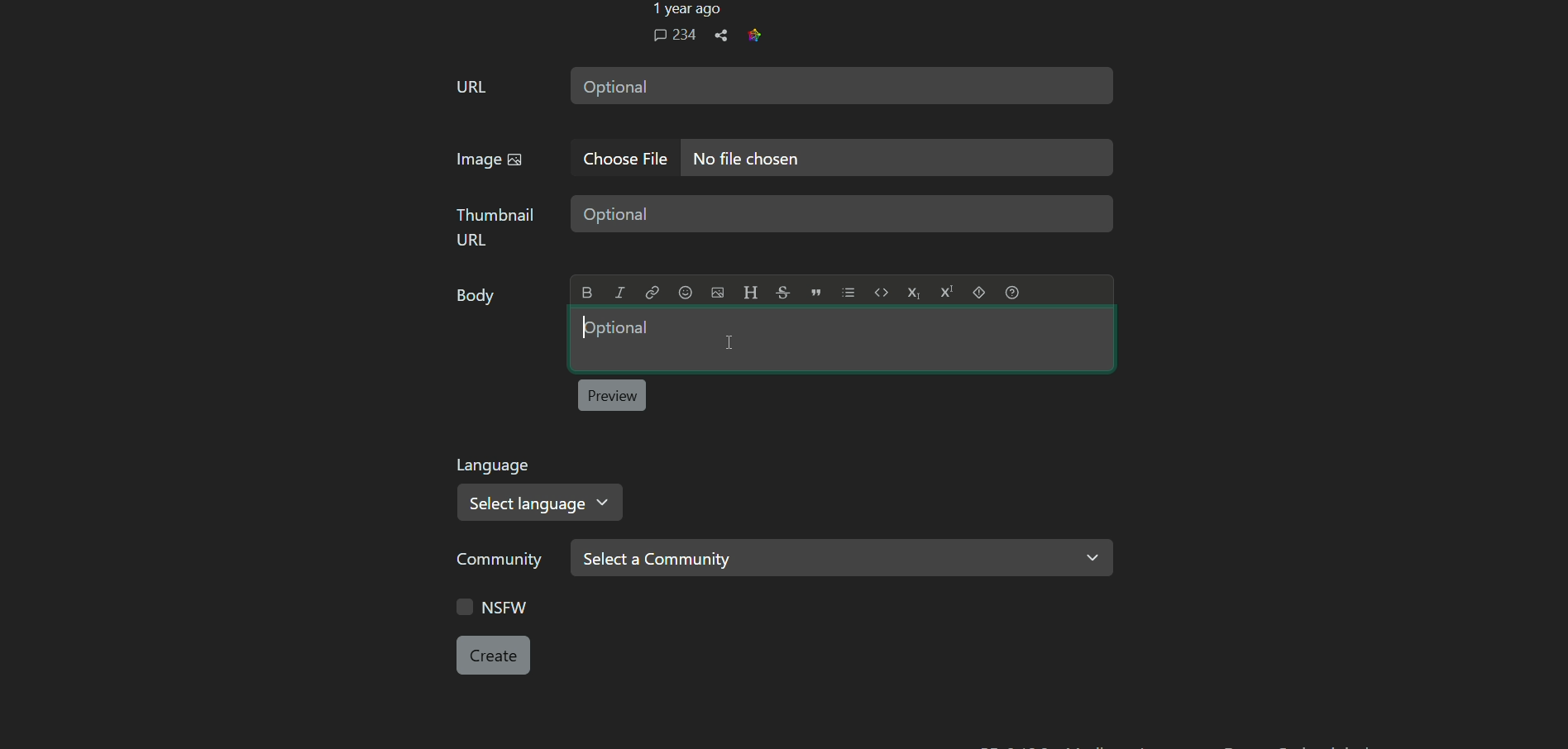  I want to click on Indicates post was created 1 year ago, so click(685, 10).